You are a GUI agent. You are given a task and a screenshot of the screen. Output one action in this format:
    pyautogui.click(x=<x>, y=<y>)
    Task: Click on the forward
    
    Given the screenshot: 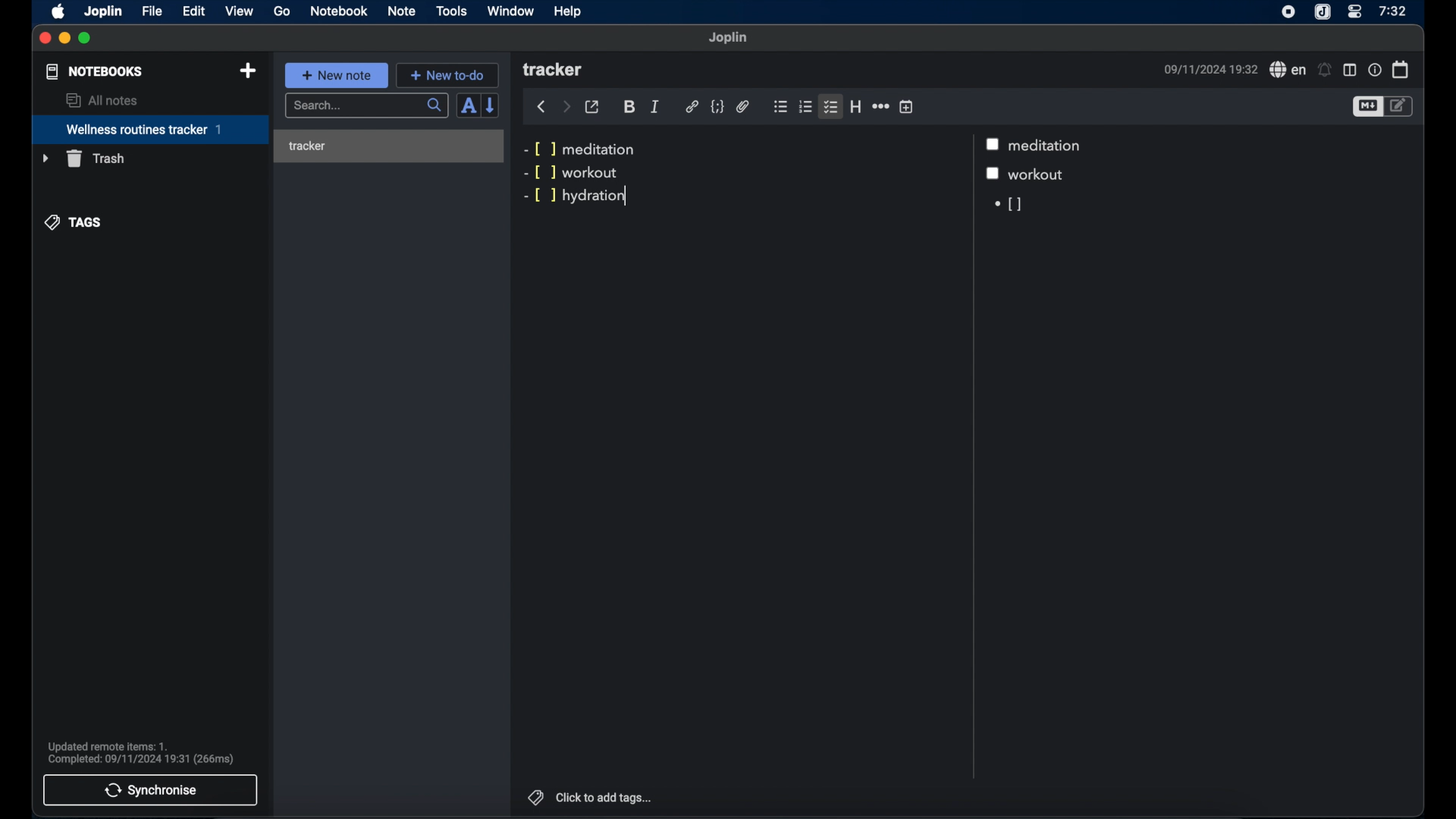 What is the action you would take?
    pyautogui.click(x=566, y=106)
    